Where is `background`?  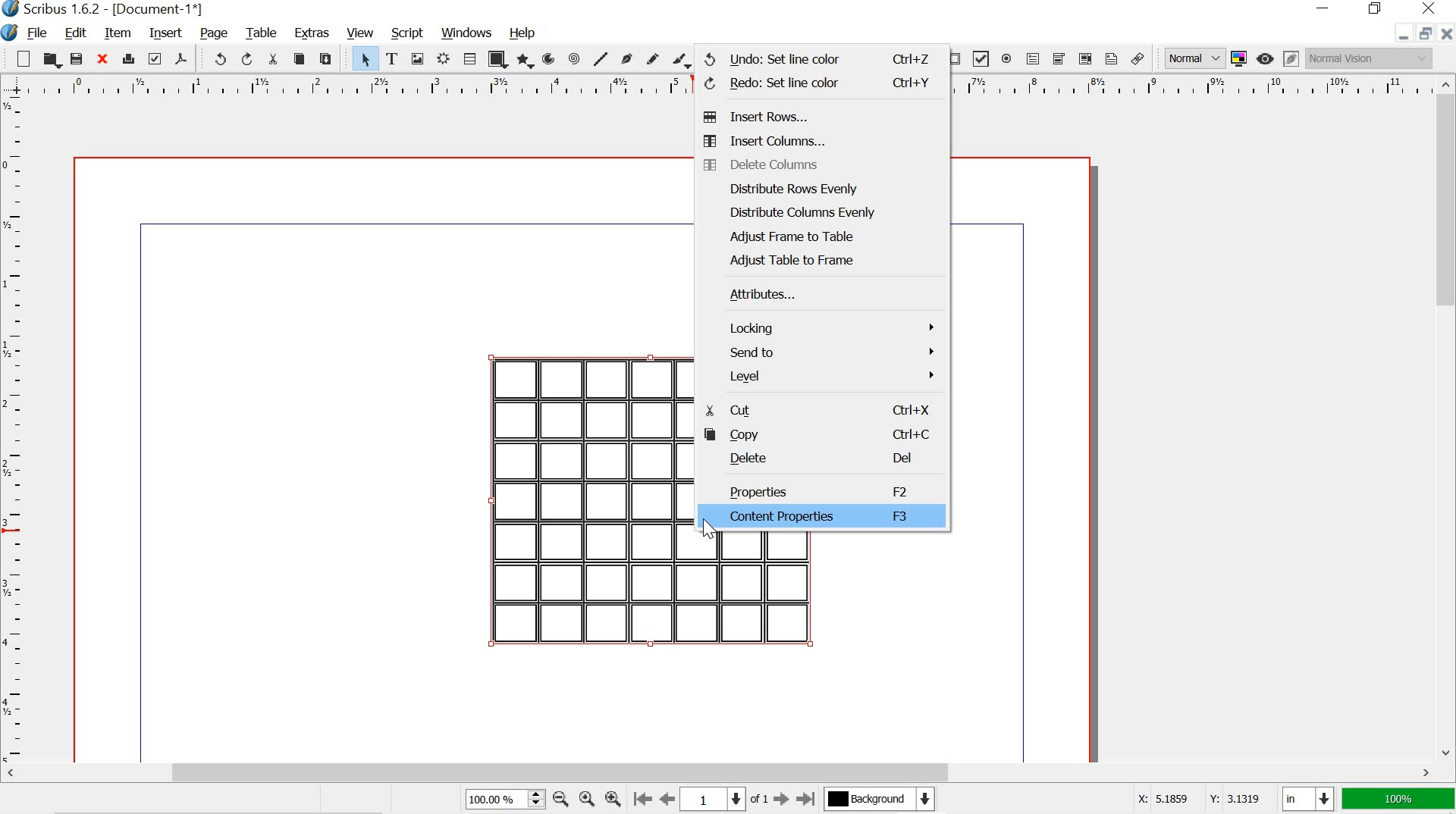 background is located at coordinates (884, 799).